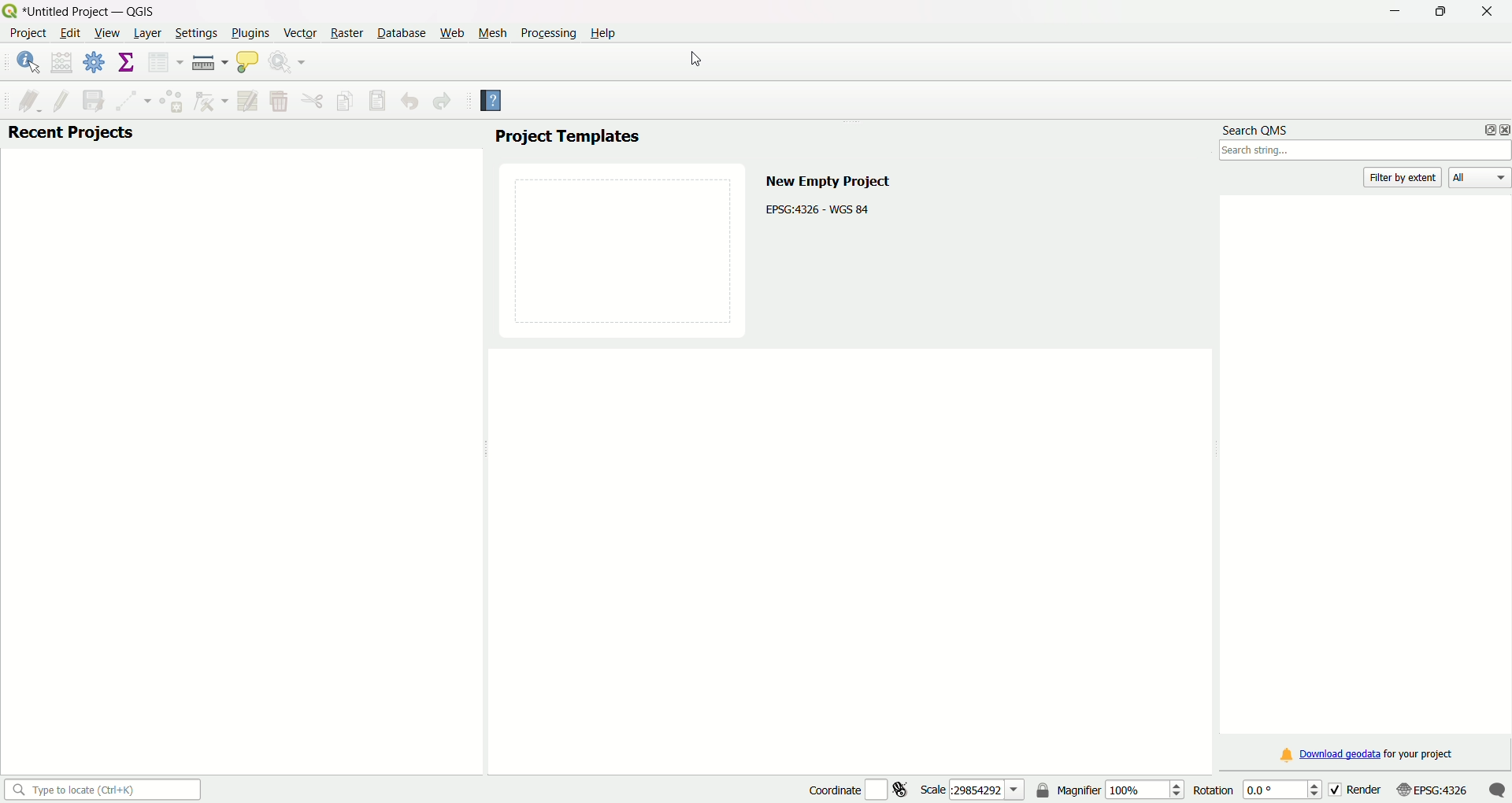 This screenshot has width=1512, height=803. I want to click on toggle extents, so click(903, 789).